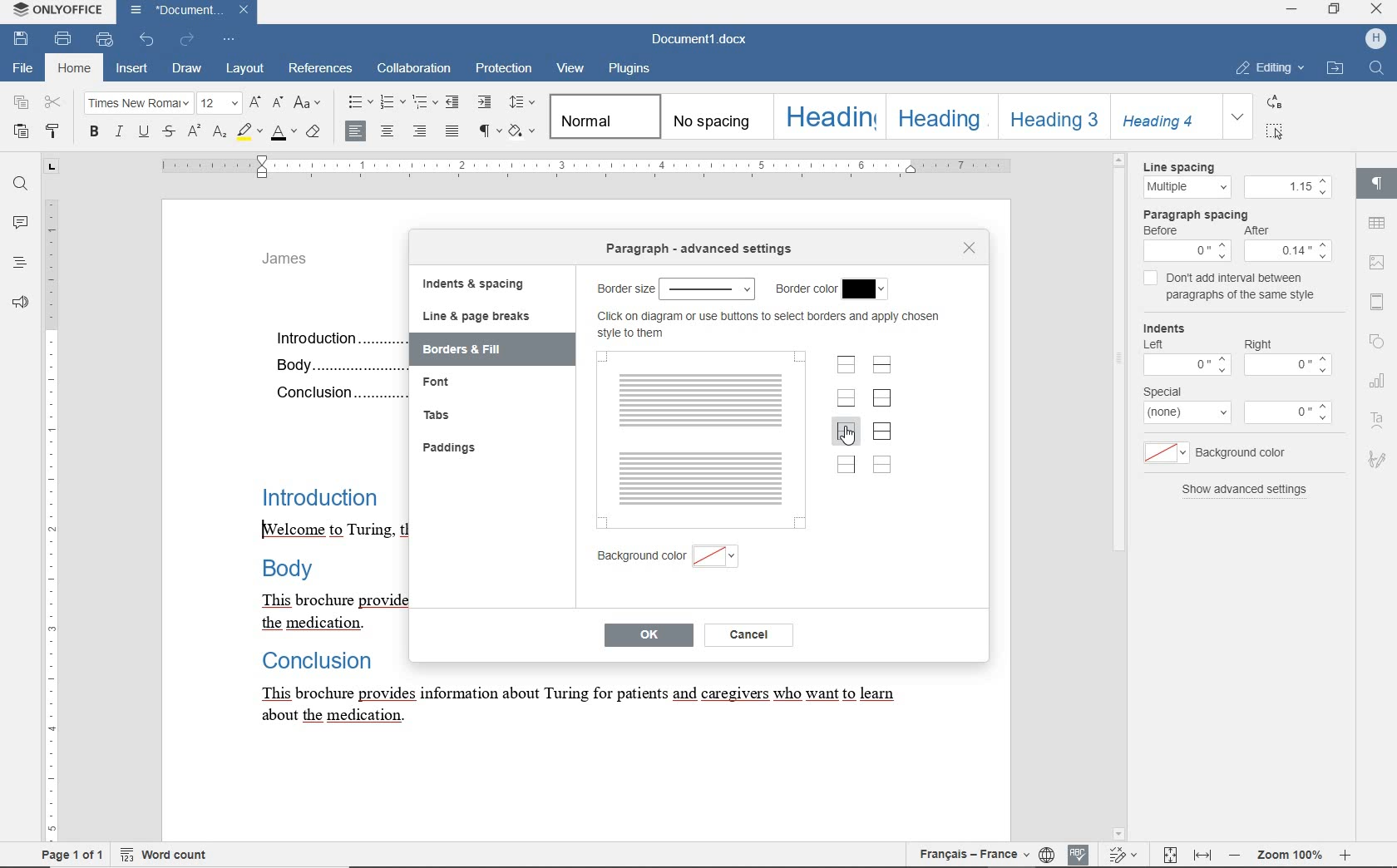 Image resolution: width=1397 pixels, height=868 pixels. Describe the element at coordinates (1377, 420) in the screenshot. I see `text art` at that location.